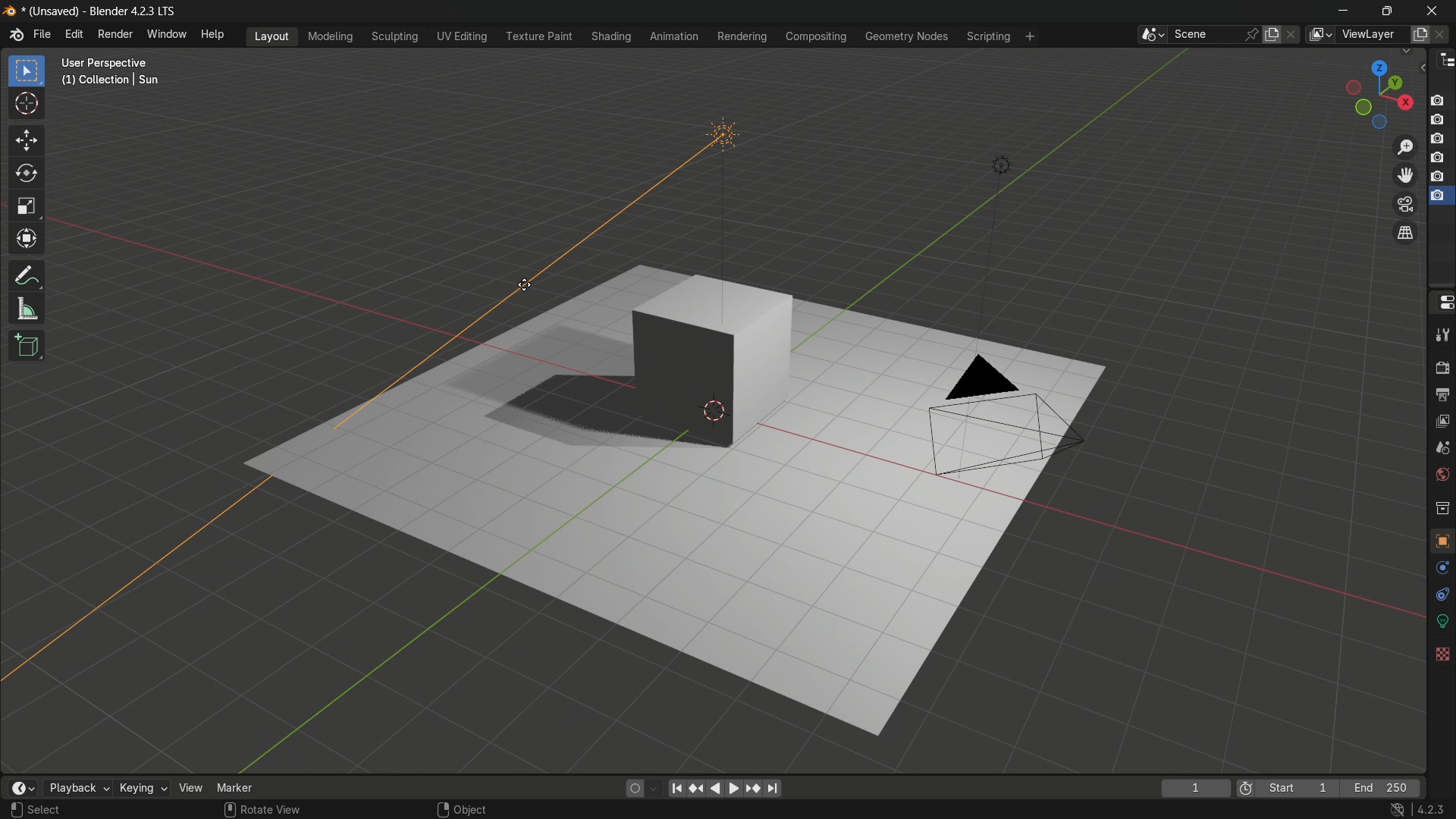 This screenshot has height=819, width=1456. Describe the element at coordinates (1148, 35) in the screenshot. I see `browse scenes` at that location.